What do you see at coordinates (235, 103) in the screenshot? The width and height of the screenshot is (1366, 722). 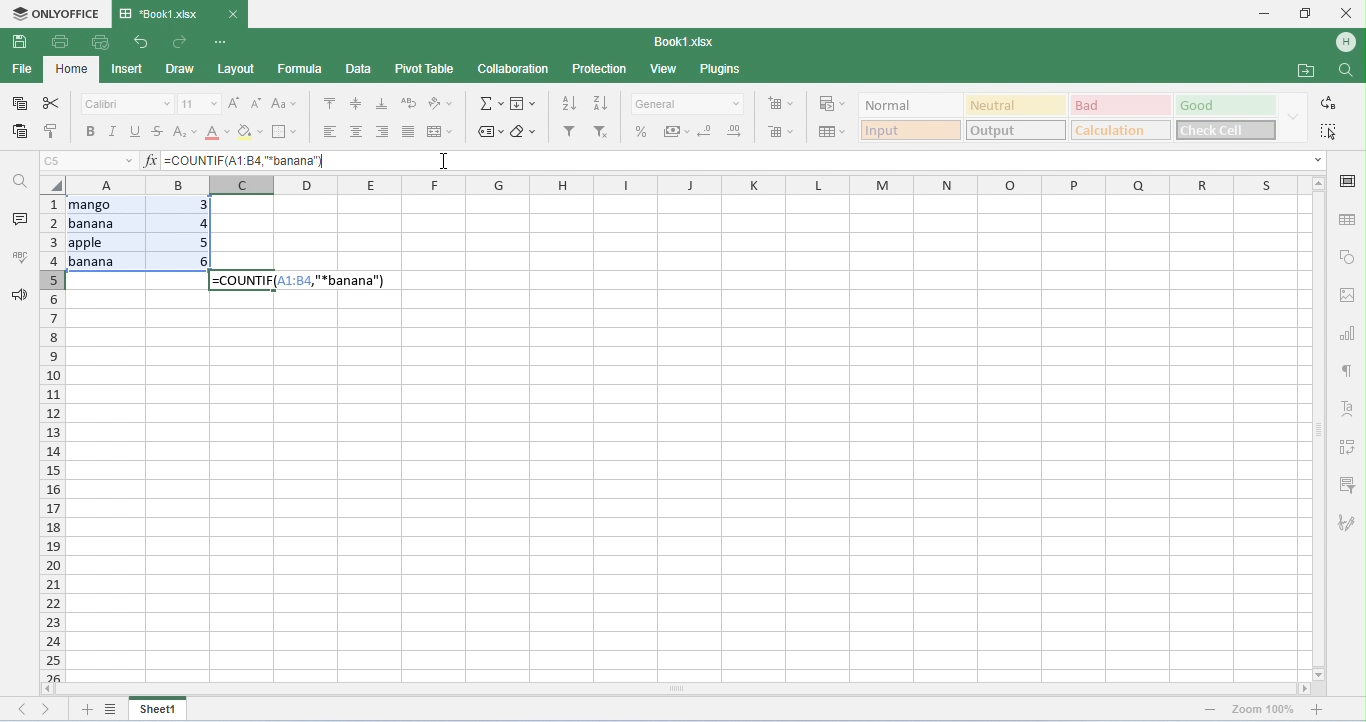 I see `increment font size` at bounding box center [235, 103].